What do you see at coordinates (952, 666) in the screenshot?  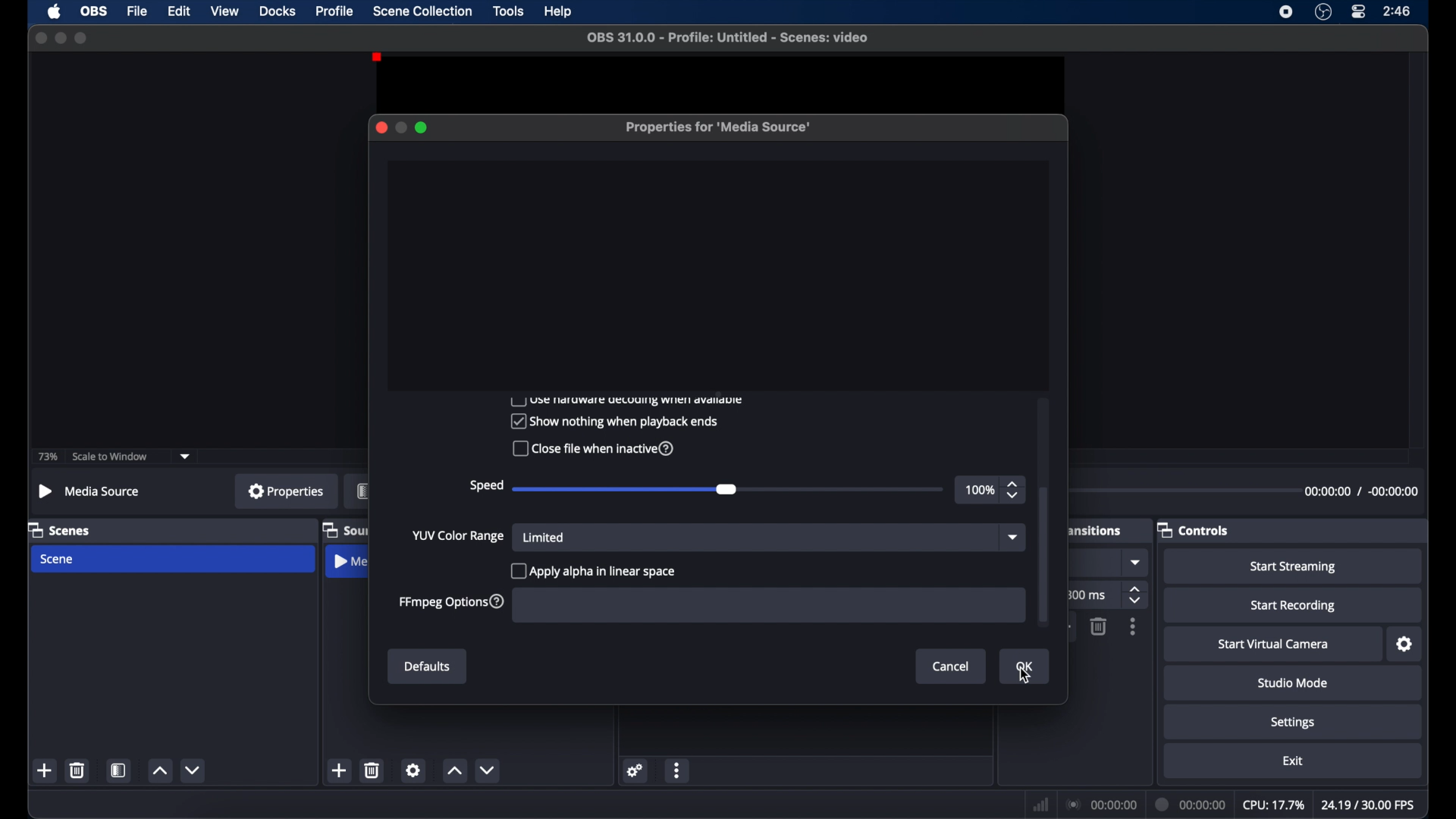 I see `cancel` at bounding box center [952, 666].